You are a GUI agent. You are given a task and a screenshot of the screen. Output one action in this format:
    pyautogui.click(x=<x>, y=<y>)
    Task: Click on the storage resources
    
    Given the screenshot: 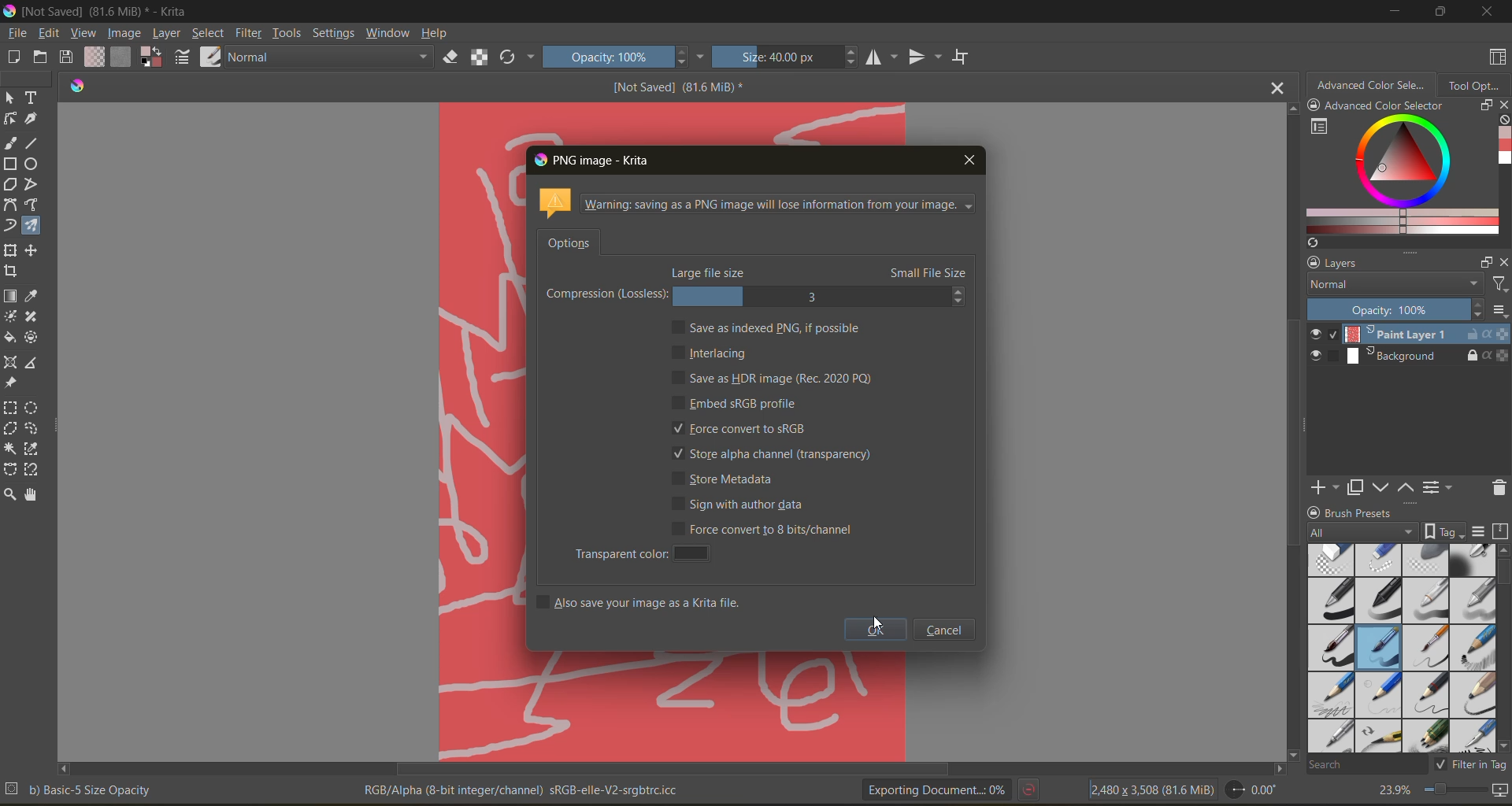 What is the action you would take?
    pyautogui.click(x=1503, y=532)
    